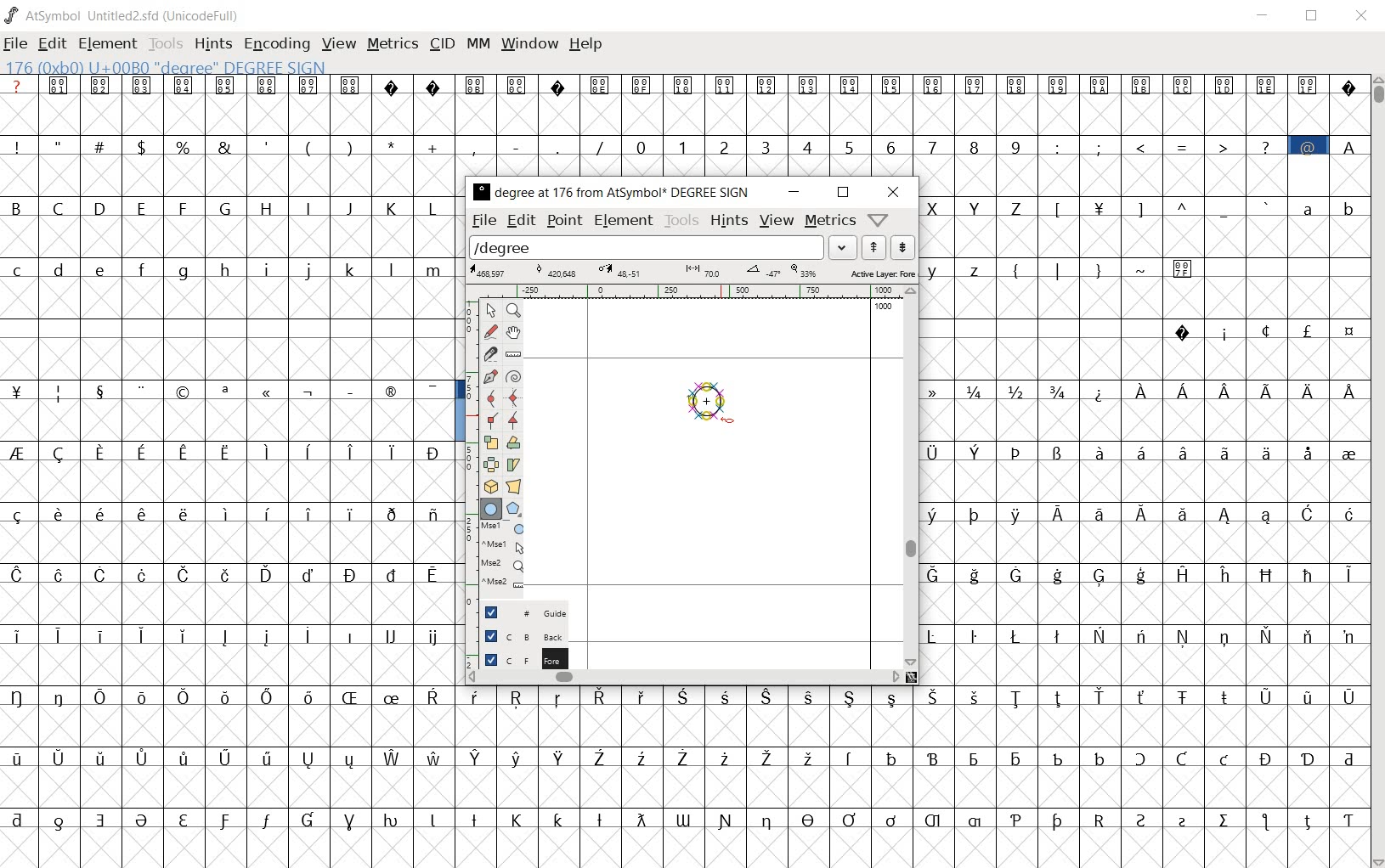 This screenshot has width=1385, height=868. Describe the element at coordinates (512, 310) in the screenshot. I see `magnify` at that location.